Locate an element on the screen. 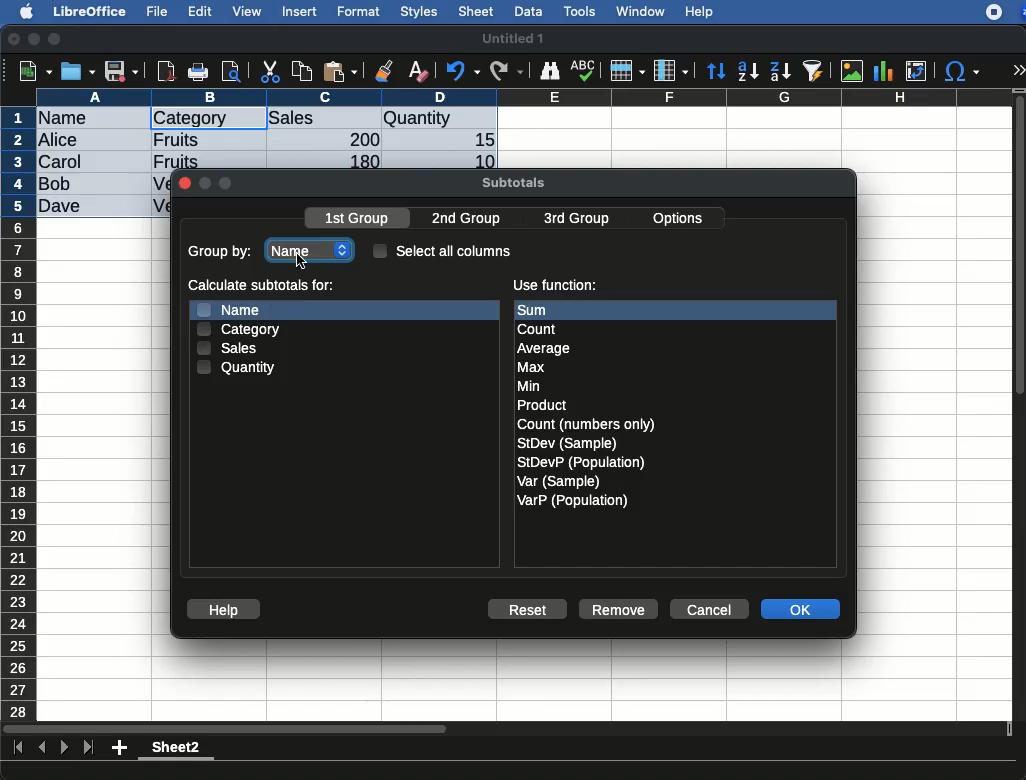  name is located at coordinates (312, 246).